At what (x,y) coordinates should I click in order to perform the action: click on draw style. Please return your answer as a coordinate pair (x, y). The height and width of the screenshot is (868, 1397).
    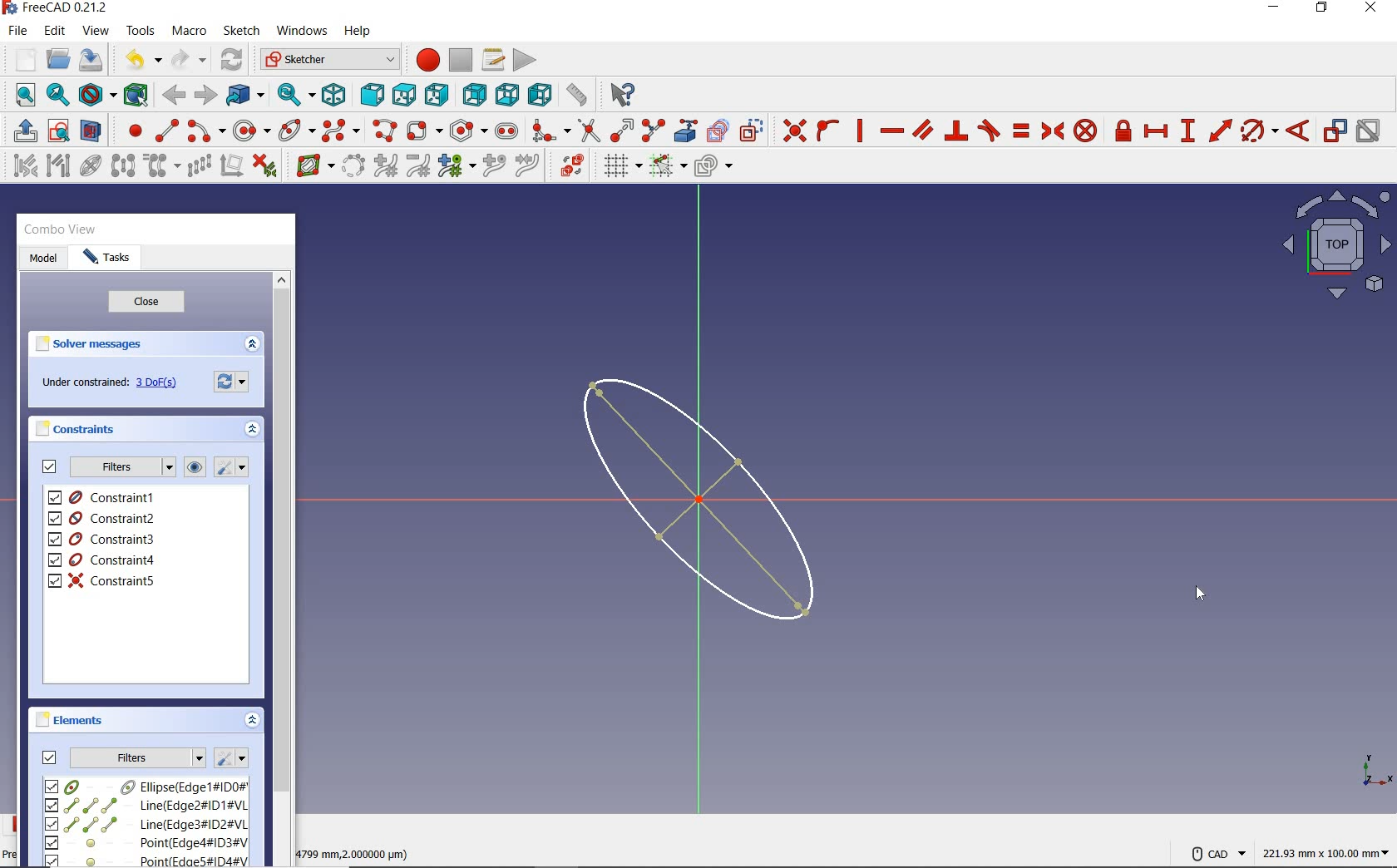
    Looking at the image, I should click on (97, 94).